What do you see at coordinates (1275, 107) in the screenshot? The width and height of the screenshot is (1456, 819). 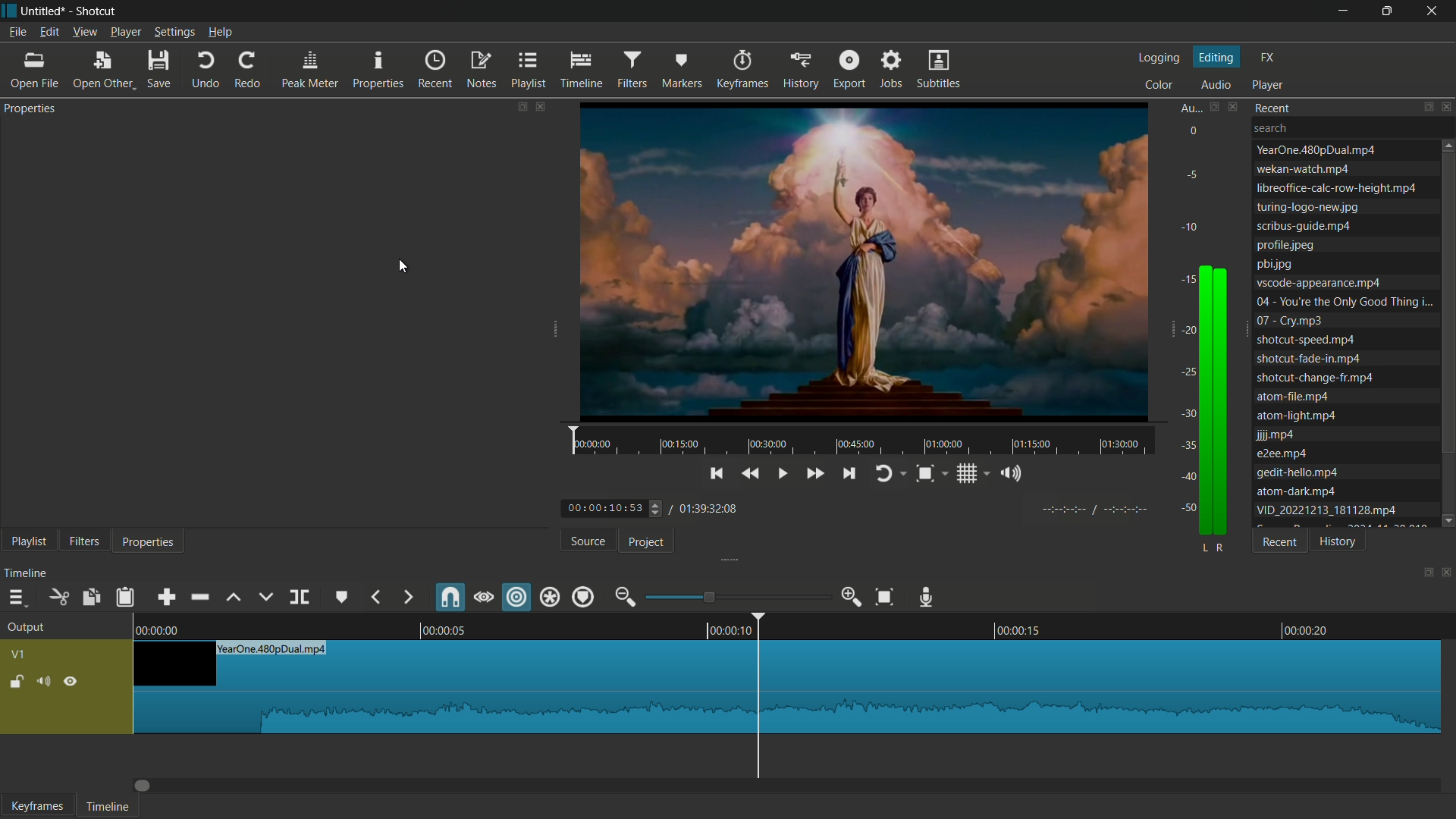 I see `recent` at bounding box center [1275, 107].